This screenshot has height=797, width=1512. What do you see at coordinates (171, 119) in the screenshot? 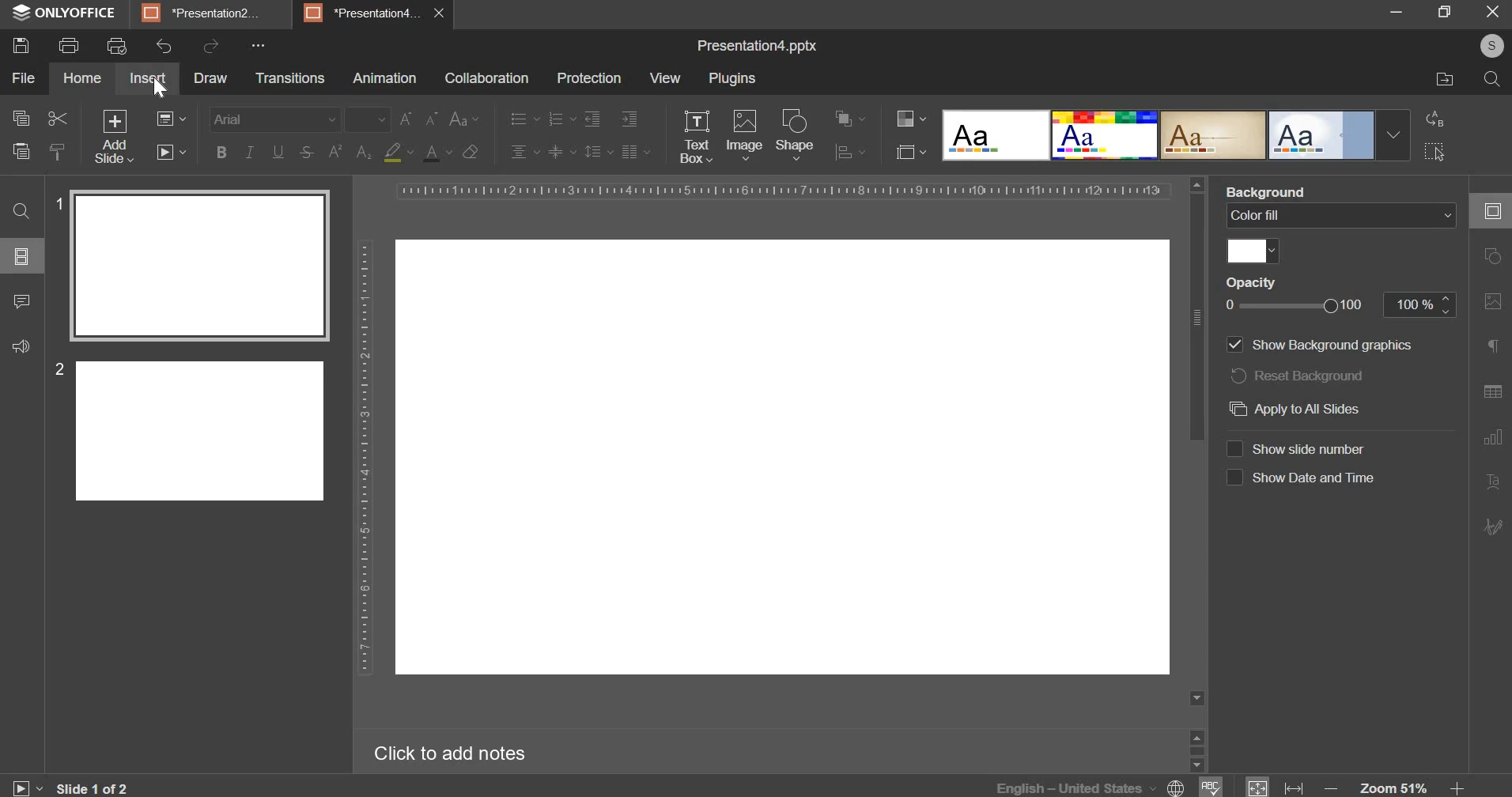
I see `change slide layout` at bounding box center [171, 119].